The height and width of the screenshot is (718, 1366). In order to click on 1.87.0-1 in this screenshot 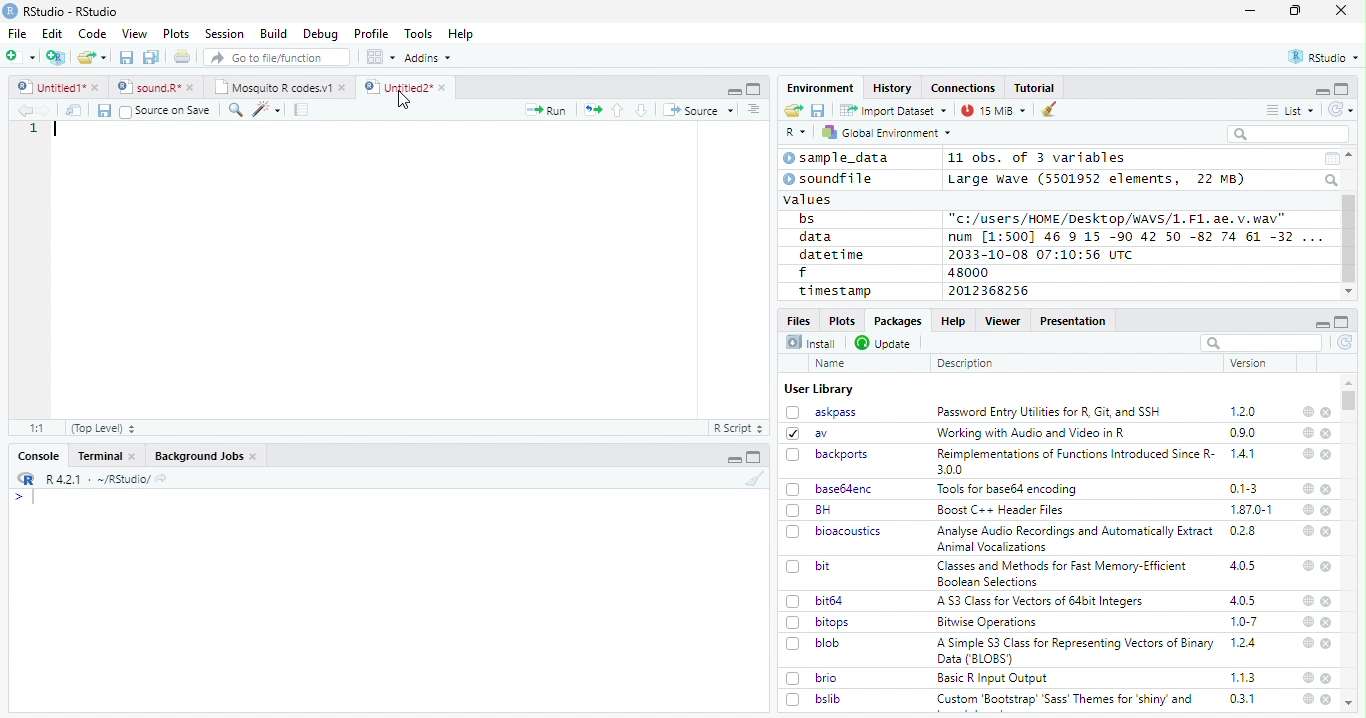, I will do `click(1251, 510)`.